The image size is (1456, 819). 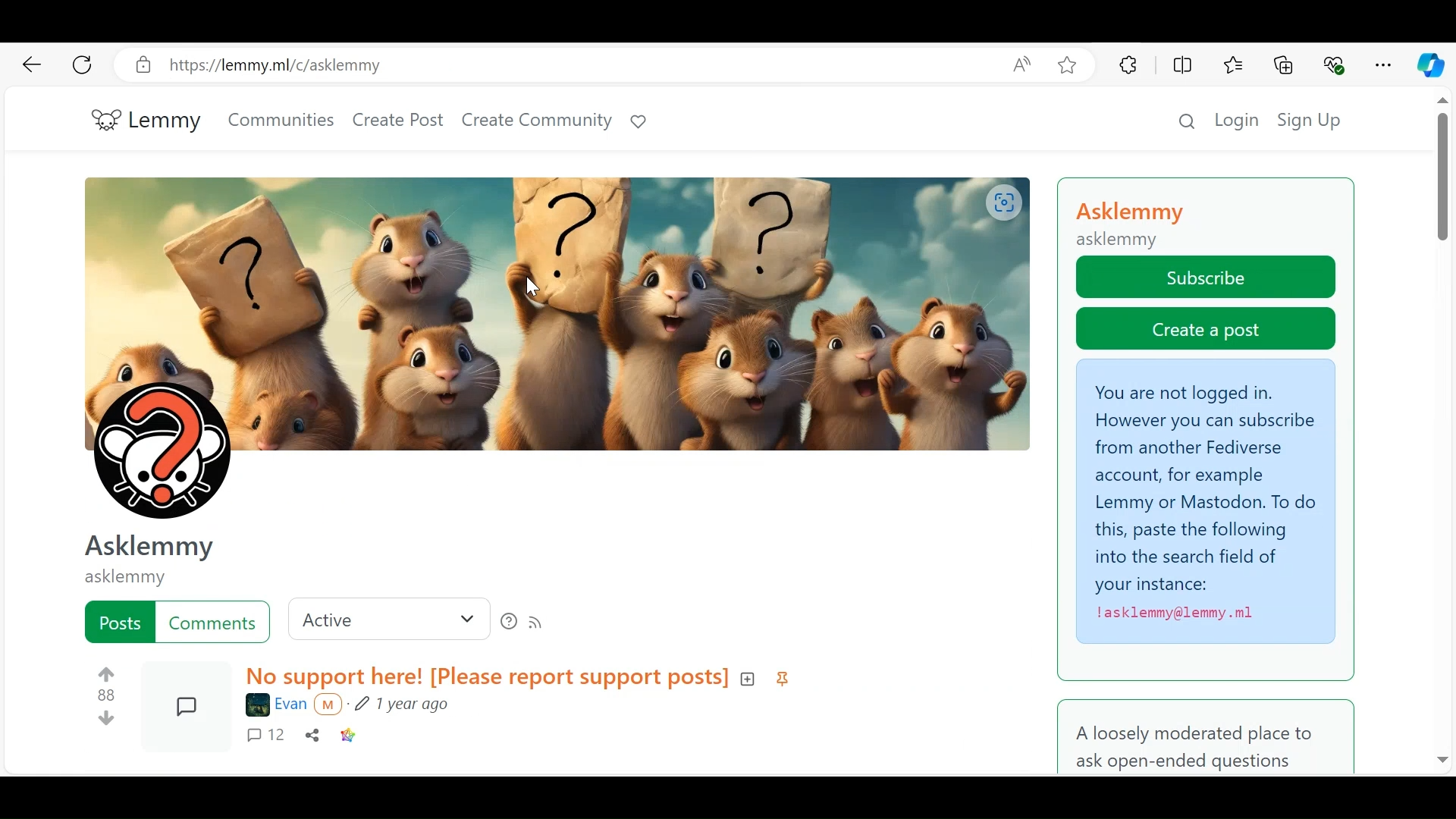 What do you see at coordinates (1335, 66) in the screenshot?
I see `Browser essentials` at bounding box center [1335, 66].